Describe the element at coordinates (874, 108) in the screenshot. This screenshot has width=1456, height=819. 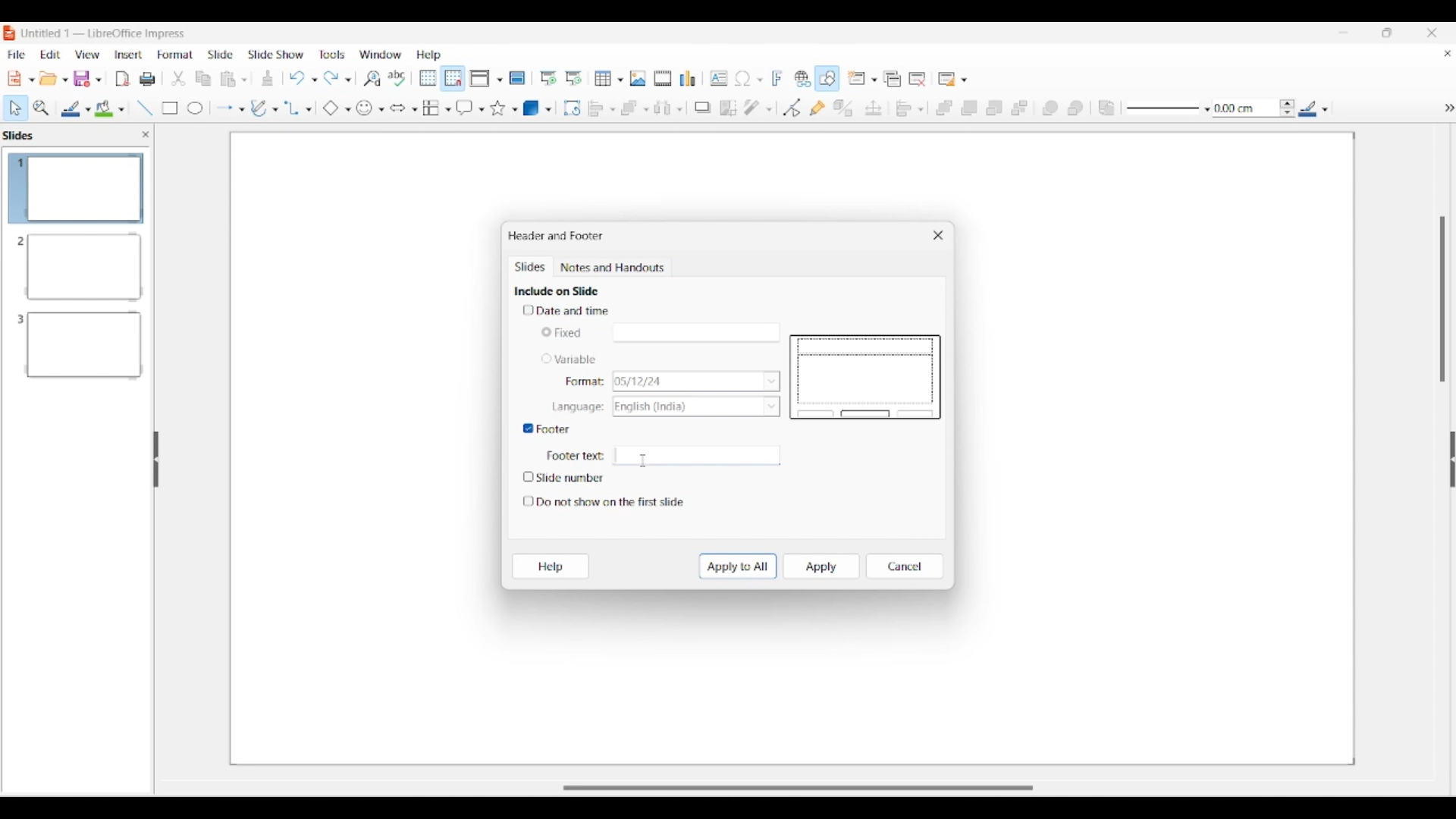
I see `Position and size` at that location.